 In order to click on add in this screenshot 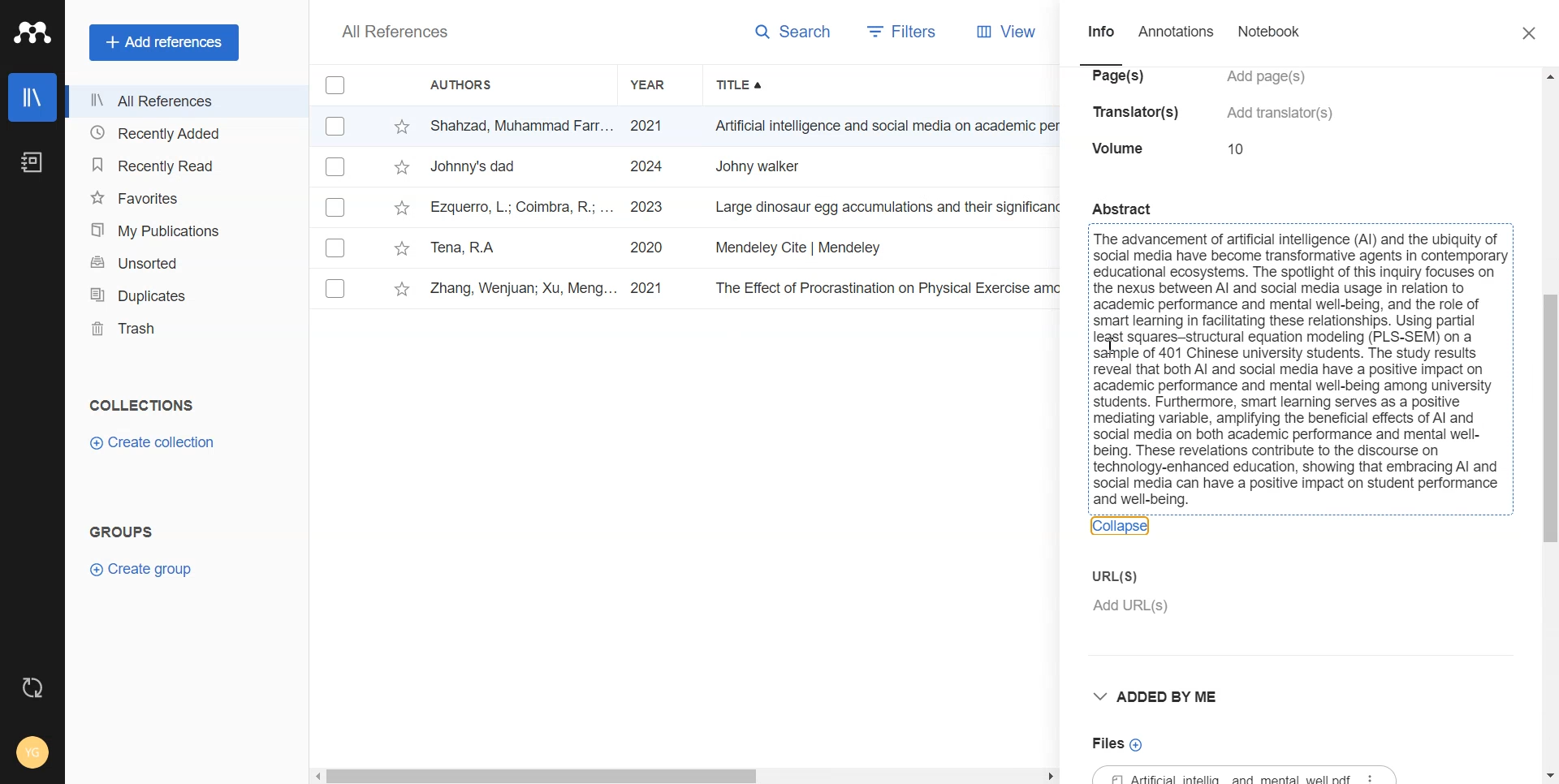, I will do `click(1274, 77)`.